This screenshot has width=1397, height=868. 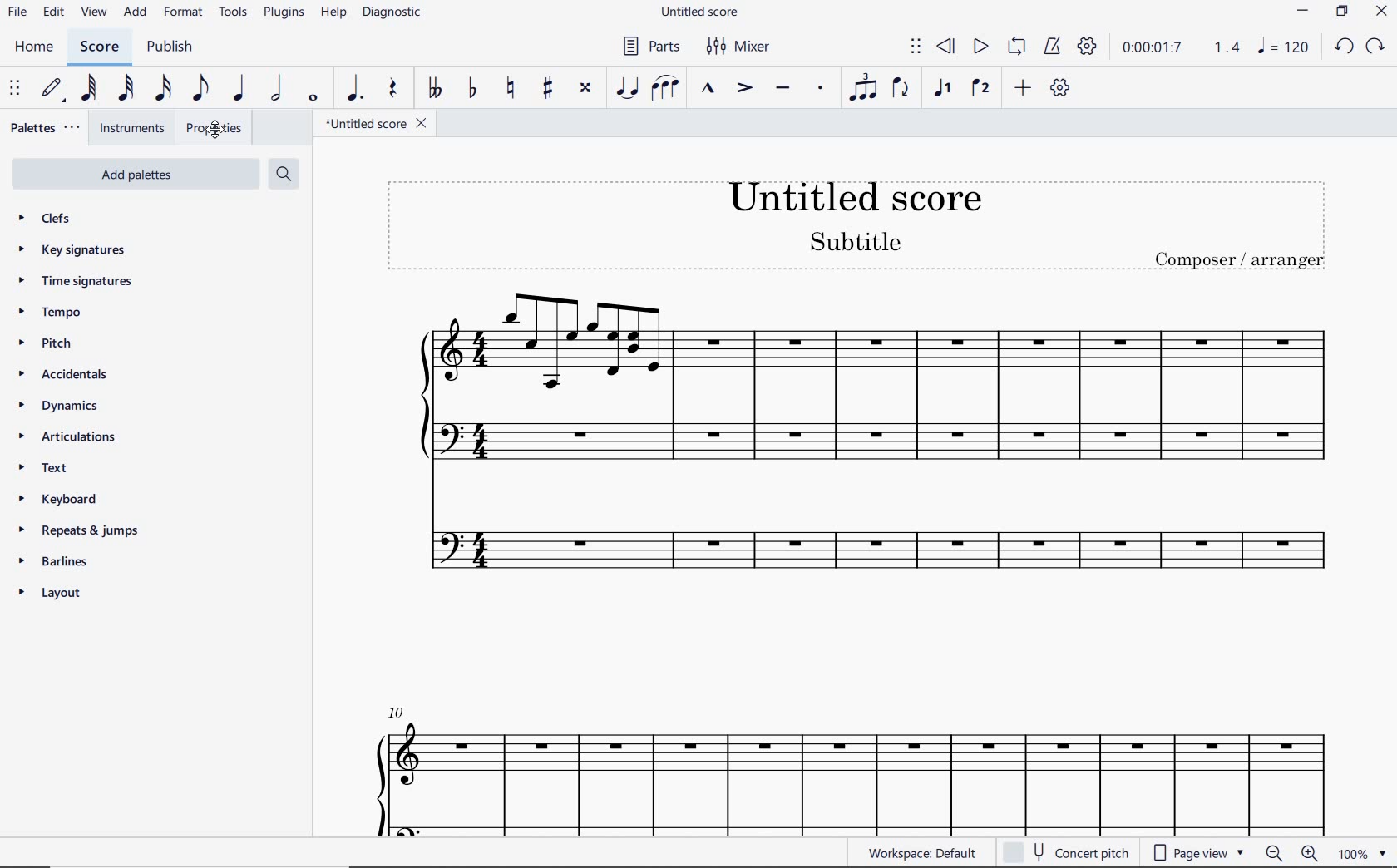 What do you see at coordinates (980, 47) in the screenshot?
I see `PLAY` at bounding box center [980, 47].